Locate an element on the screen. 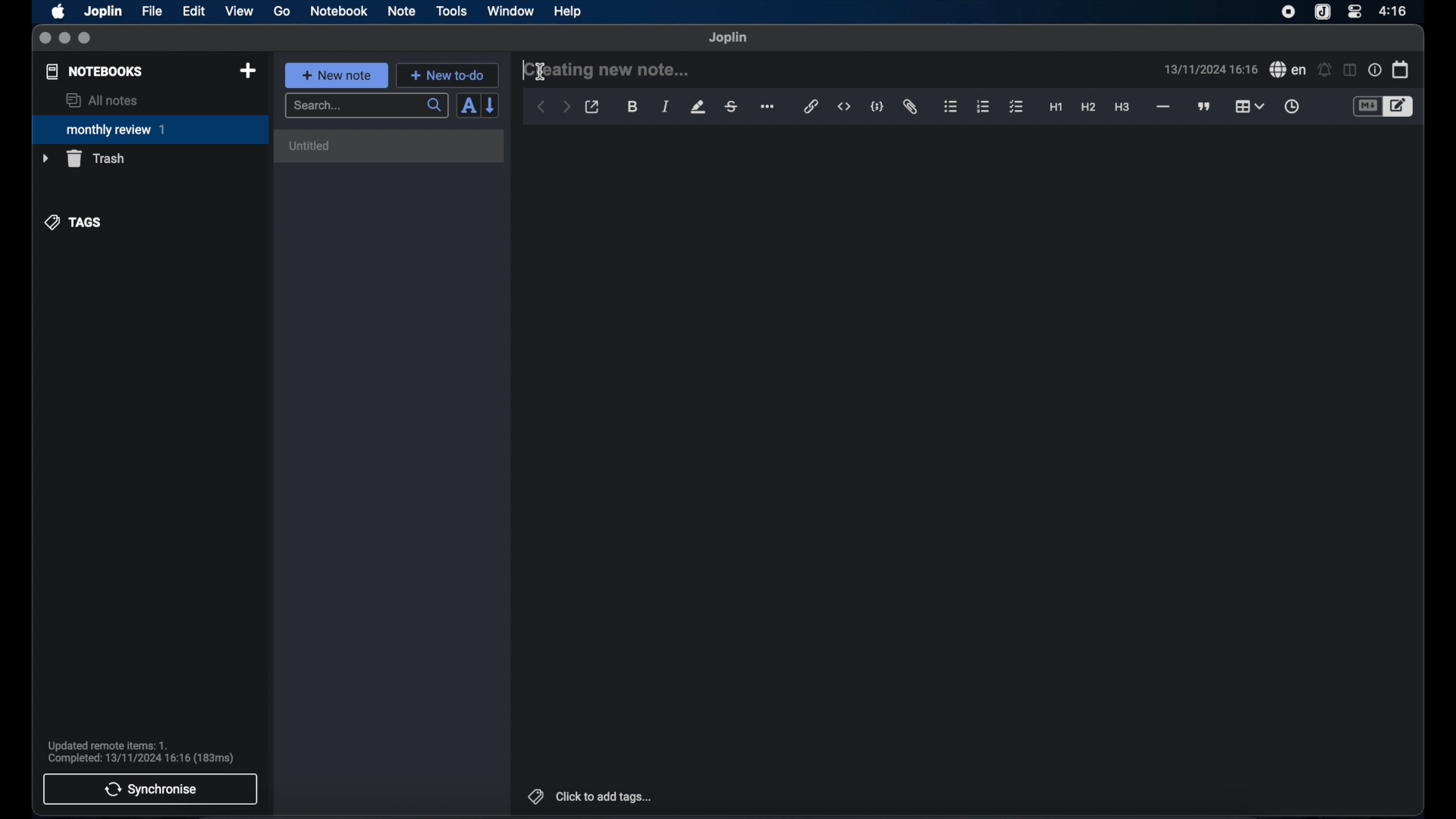 The image size is (1456, 819). open in external editor is located at coordinates (593, 108).